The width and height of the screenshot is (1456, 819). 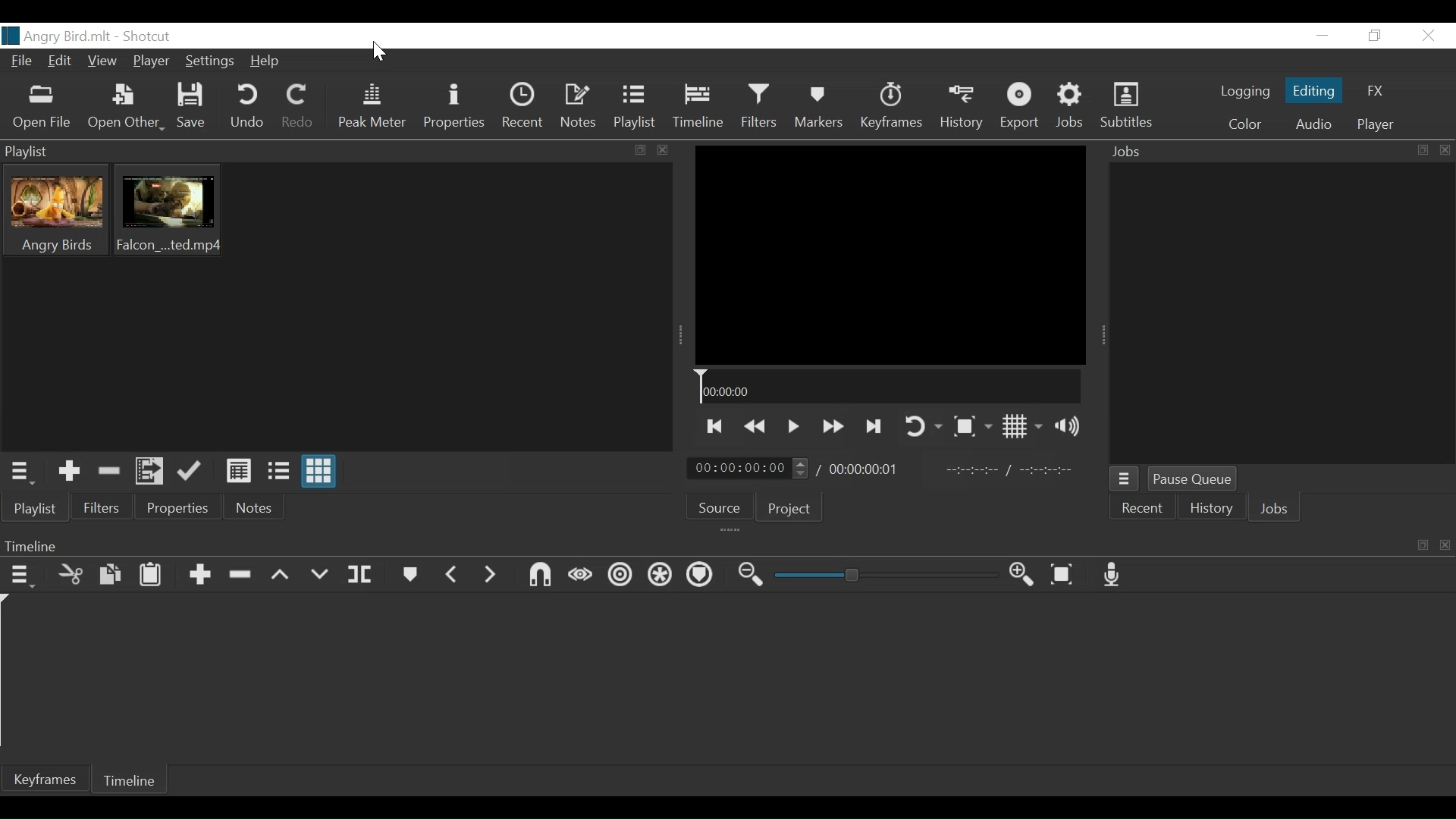 What do you see at coordinates (890, 388) in the screenshot?
I see `Timeline` at bounding box center [890, 388].